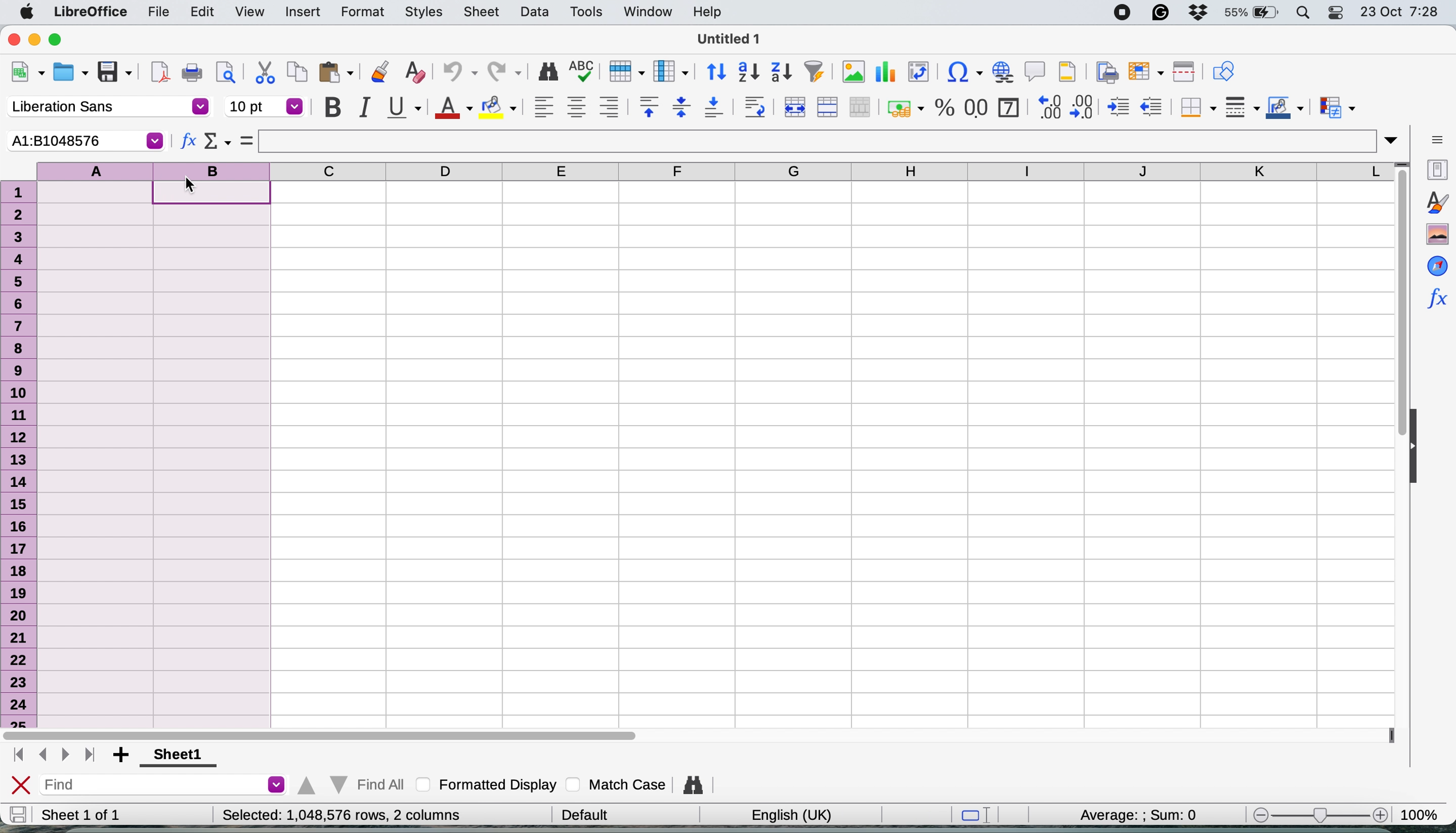 The image size is (1456, 833). What do you see at coordinates (73, 72) in the screenshot?
I see `open` at bounding box center [73, 72].